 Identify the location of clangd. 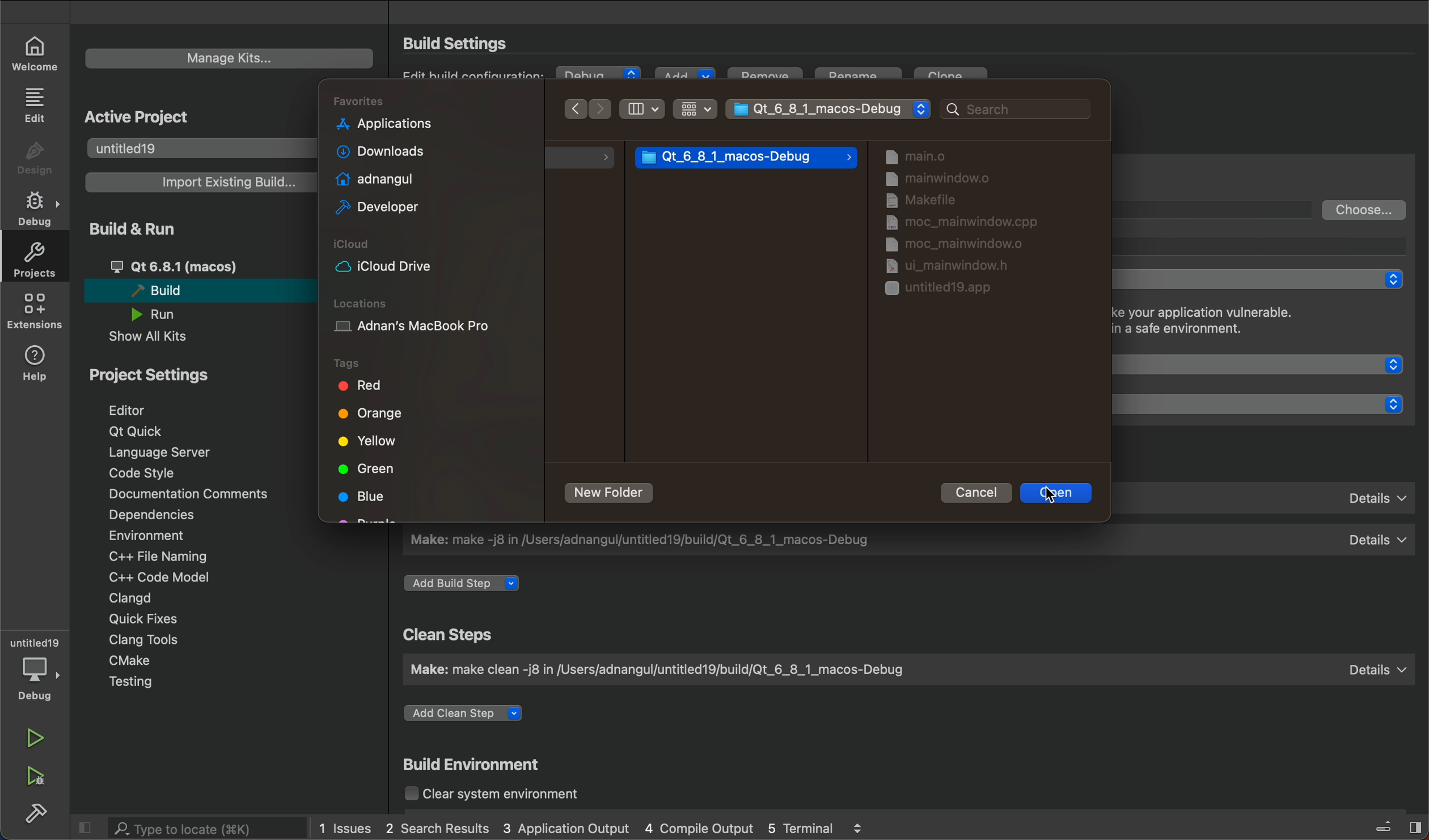
(130, 598).